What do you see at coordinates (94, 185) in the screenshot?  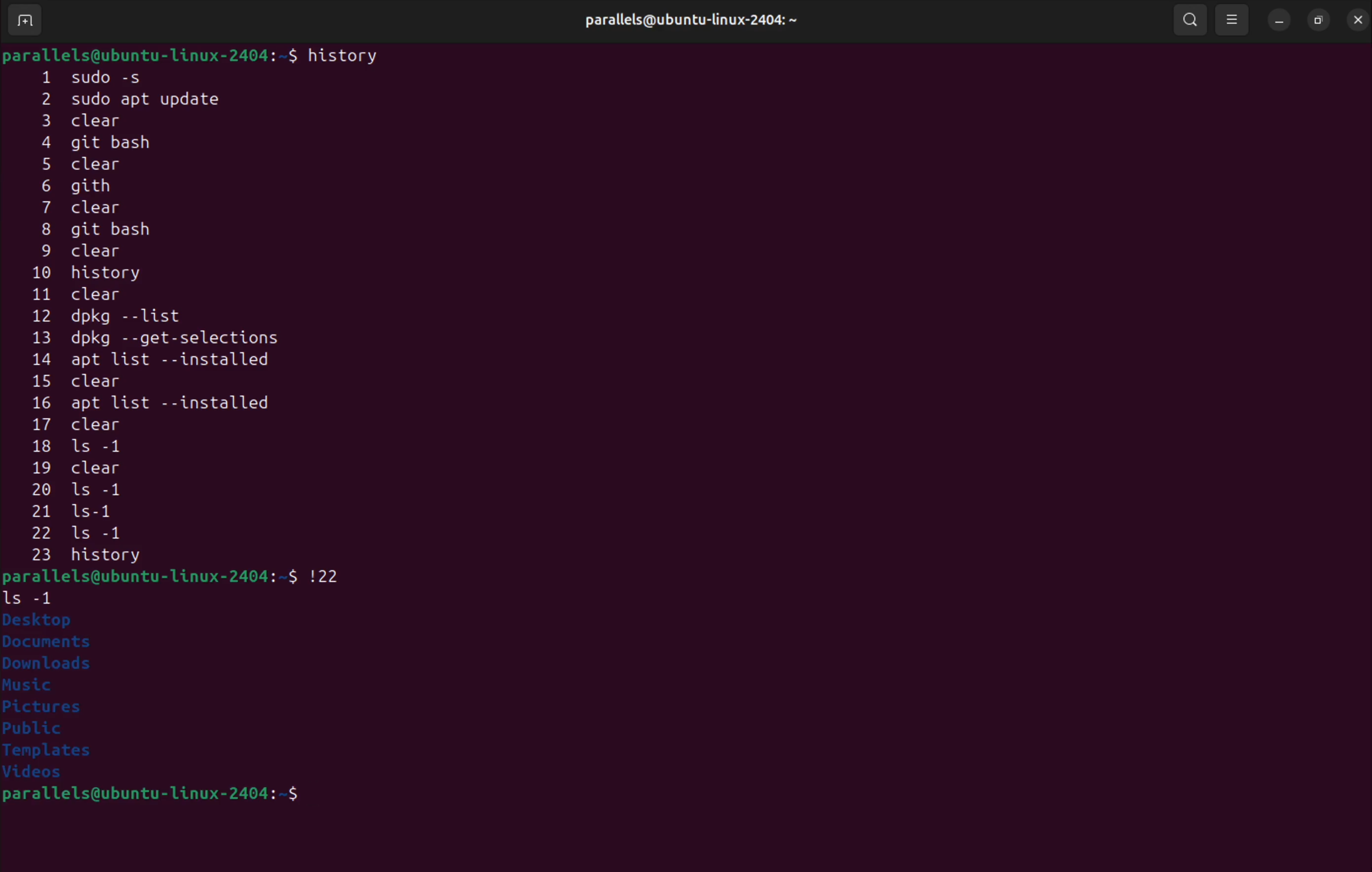 I see `6 gith` at bounding box center [94, 185].